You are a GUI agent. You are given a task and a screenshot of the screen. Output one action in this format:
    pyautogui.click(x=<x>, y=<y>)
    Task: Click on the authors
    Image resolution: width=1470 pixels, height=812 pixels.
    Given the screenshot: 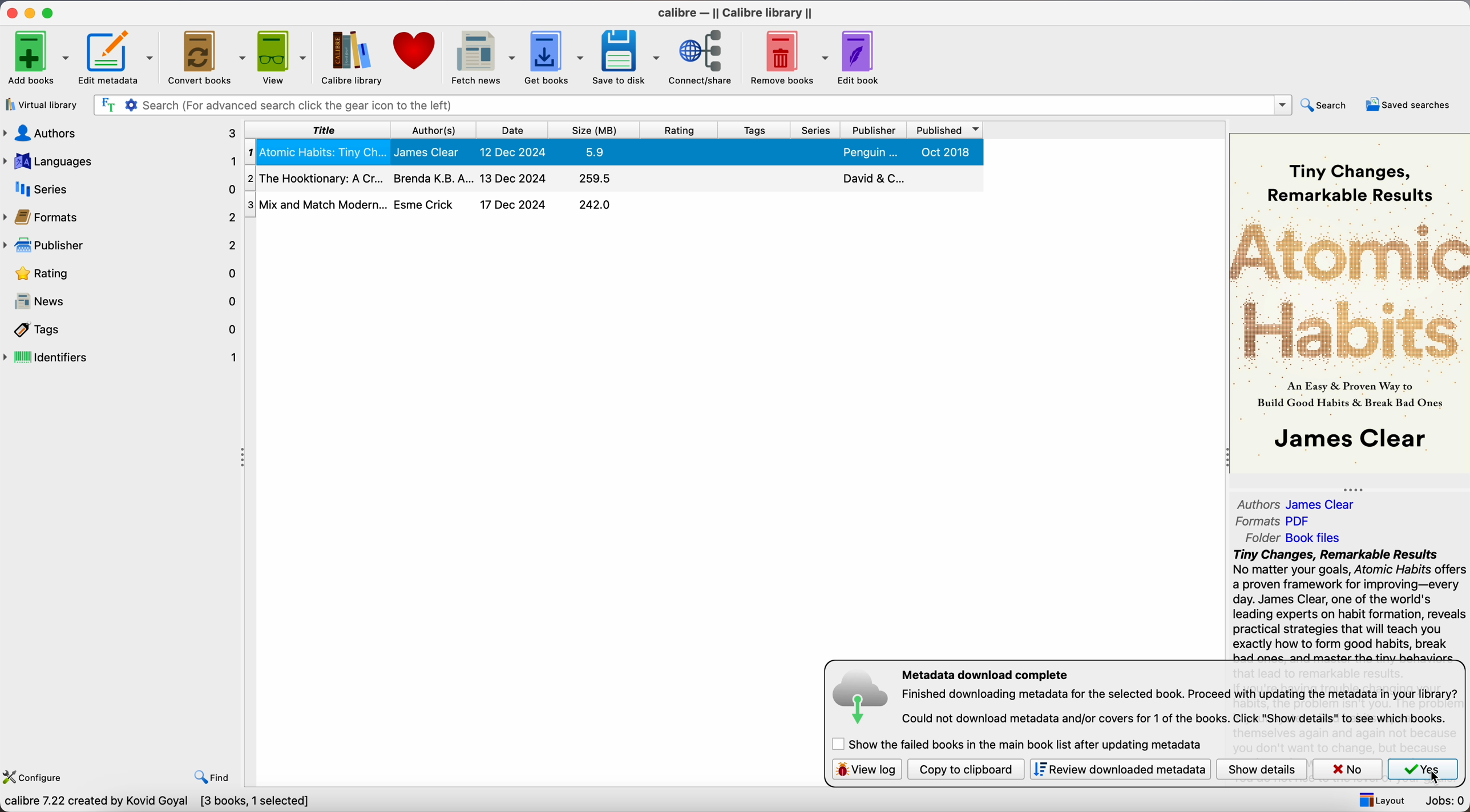 What is the action you would take?
    pyautogui.click(x=122, y=132)
    